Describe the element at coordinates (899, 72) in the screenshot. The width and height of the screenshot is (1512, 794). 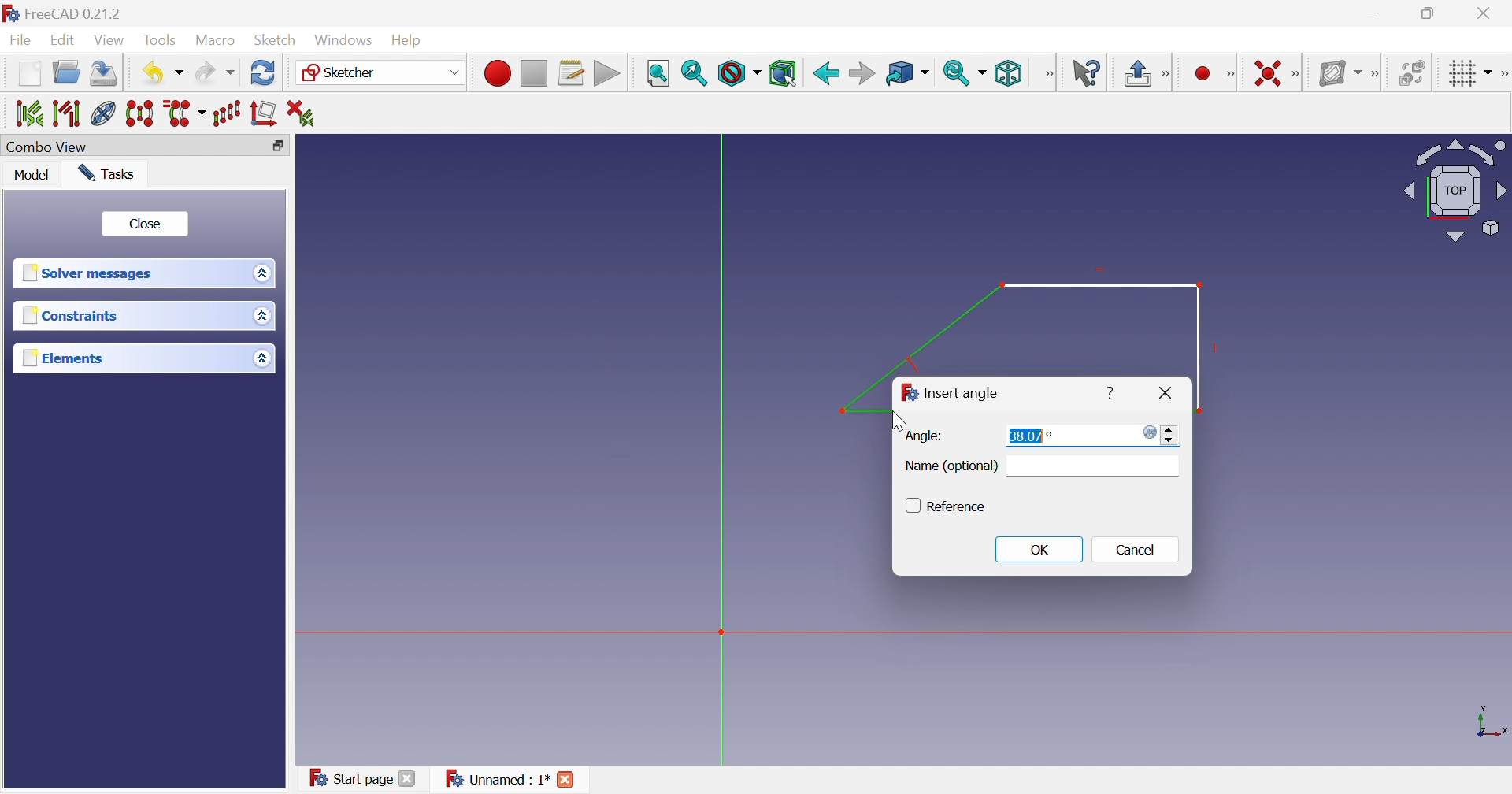
I see `Go to linked object` at that location.